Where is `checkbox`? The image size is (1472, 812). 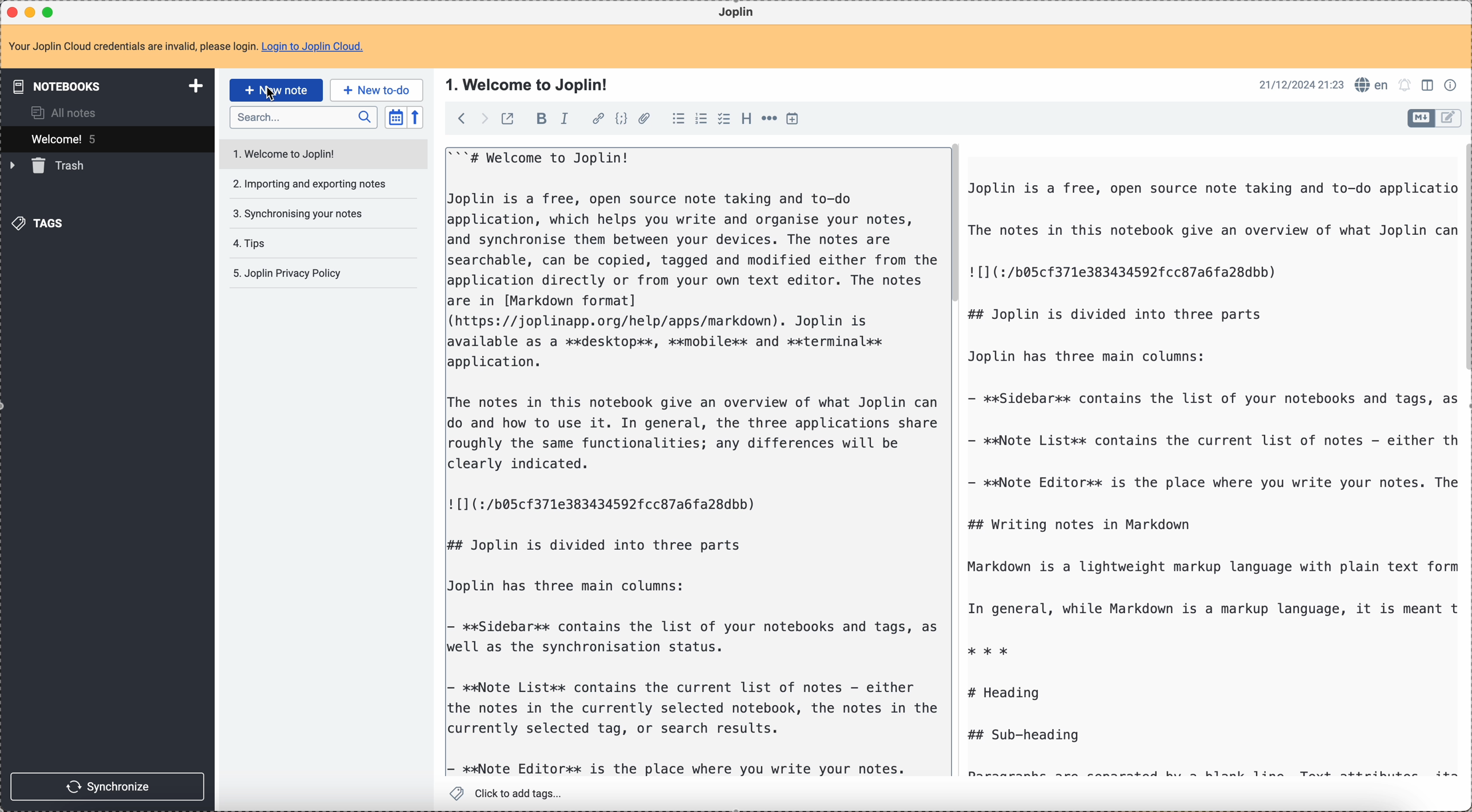 checkbox is located at coordinates (725, 119).